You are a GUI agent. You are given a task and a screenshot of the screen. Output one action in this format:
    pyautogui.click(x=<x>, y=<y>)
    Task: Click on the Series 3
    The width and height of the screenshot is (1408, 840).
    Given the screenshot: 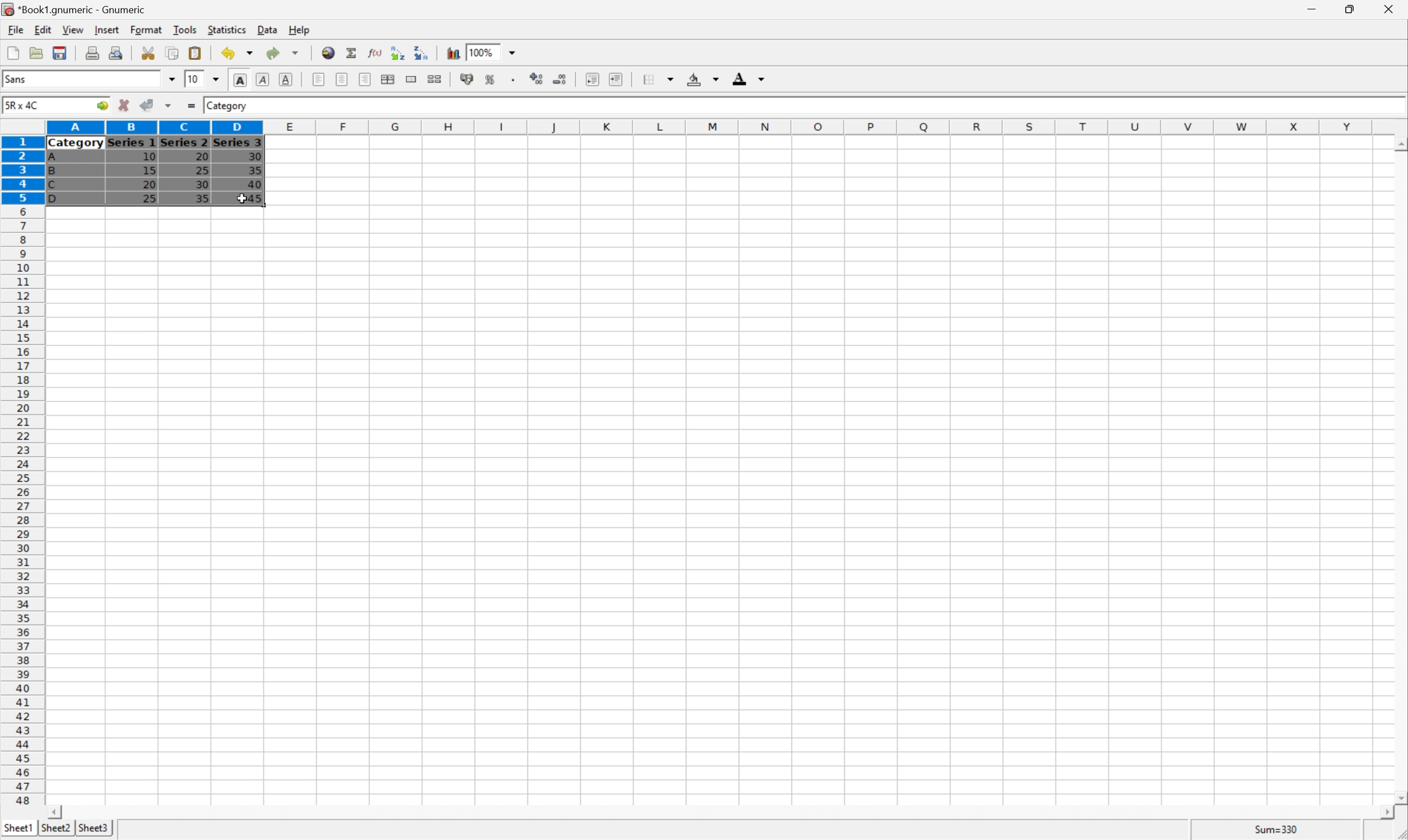 What is the action you would take?
    pyautogui.click(x=238, y=142)
    